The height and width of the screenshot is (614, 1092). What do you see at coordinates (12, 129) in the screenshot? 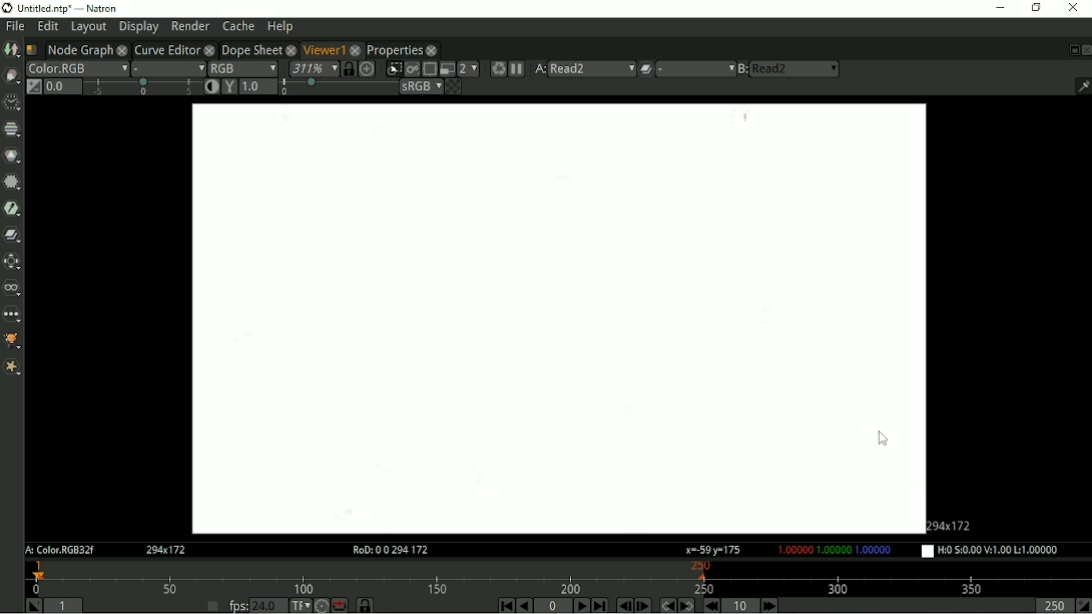
I see `Channel` at bounding box center [12, 129].